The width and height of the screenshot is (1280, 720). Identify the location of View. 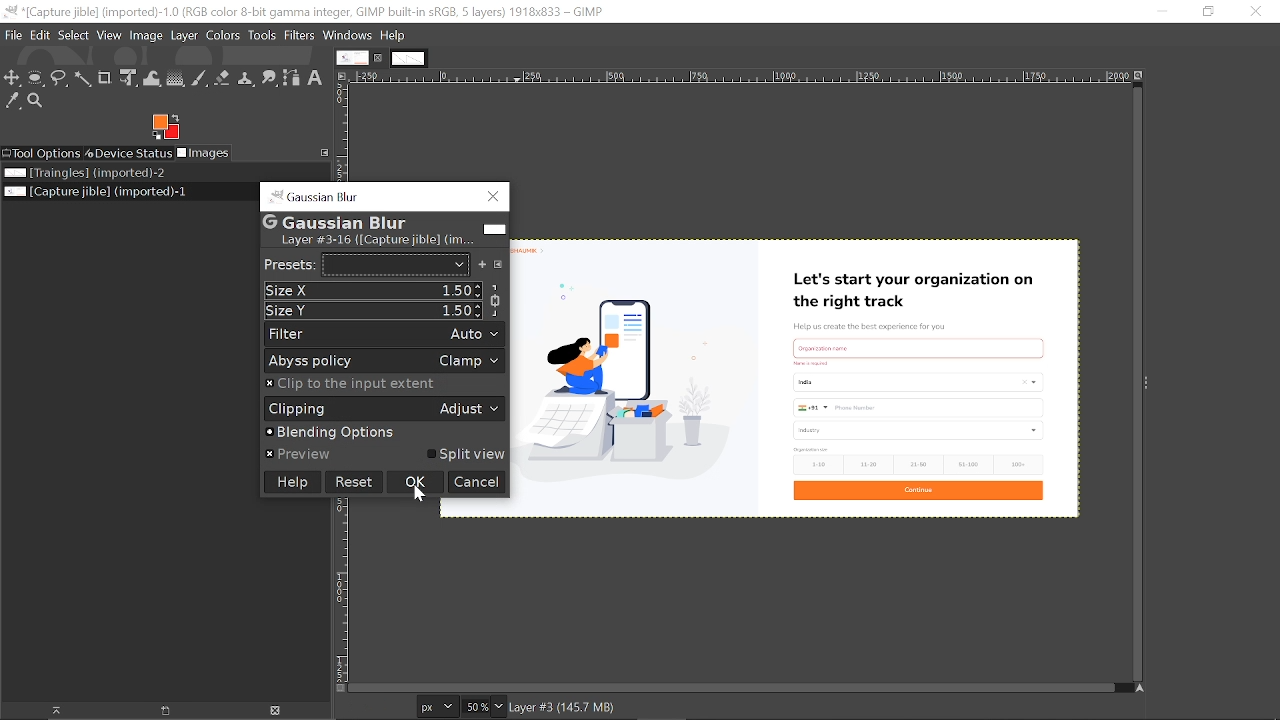
(110, 36).